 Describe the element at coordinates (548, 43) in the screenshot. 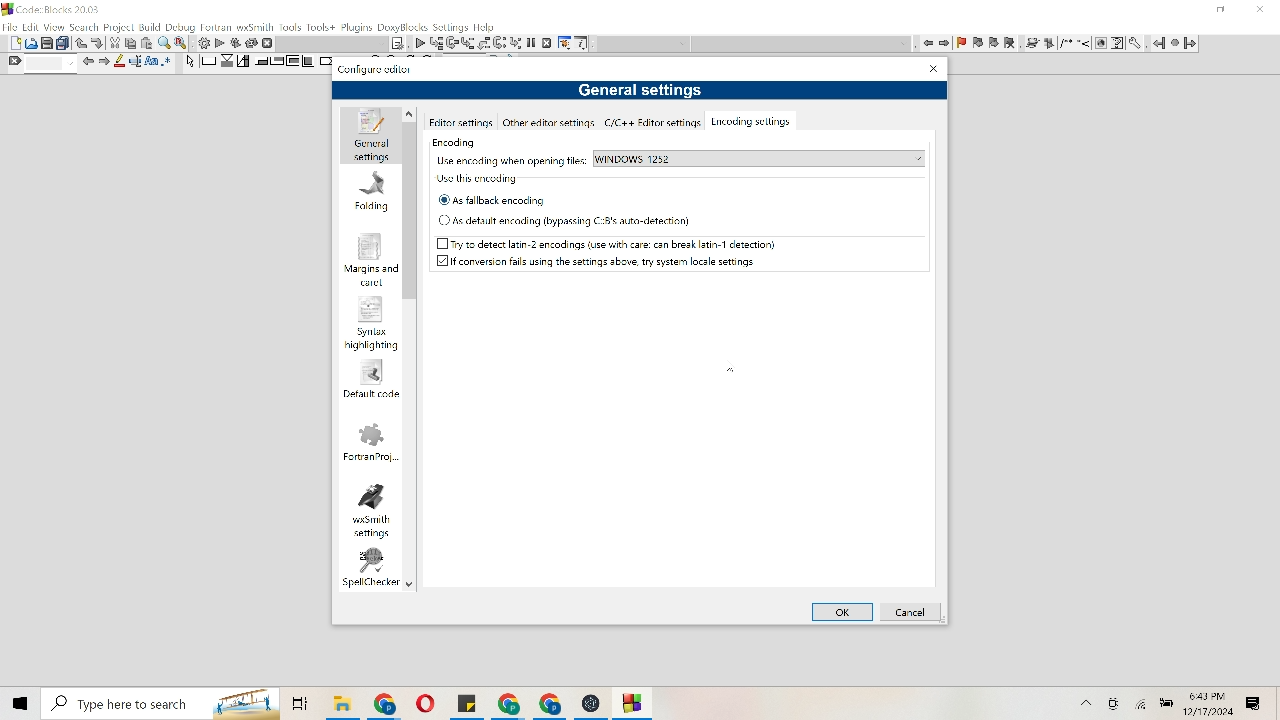

I see `Cancel` at that location.